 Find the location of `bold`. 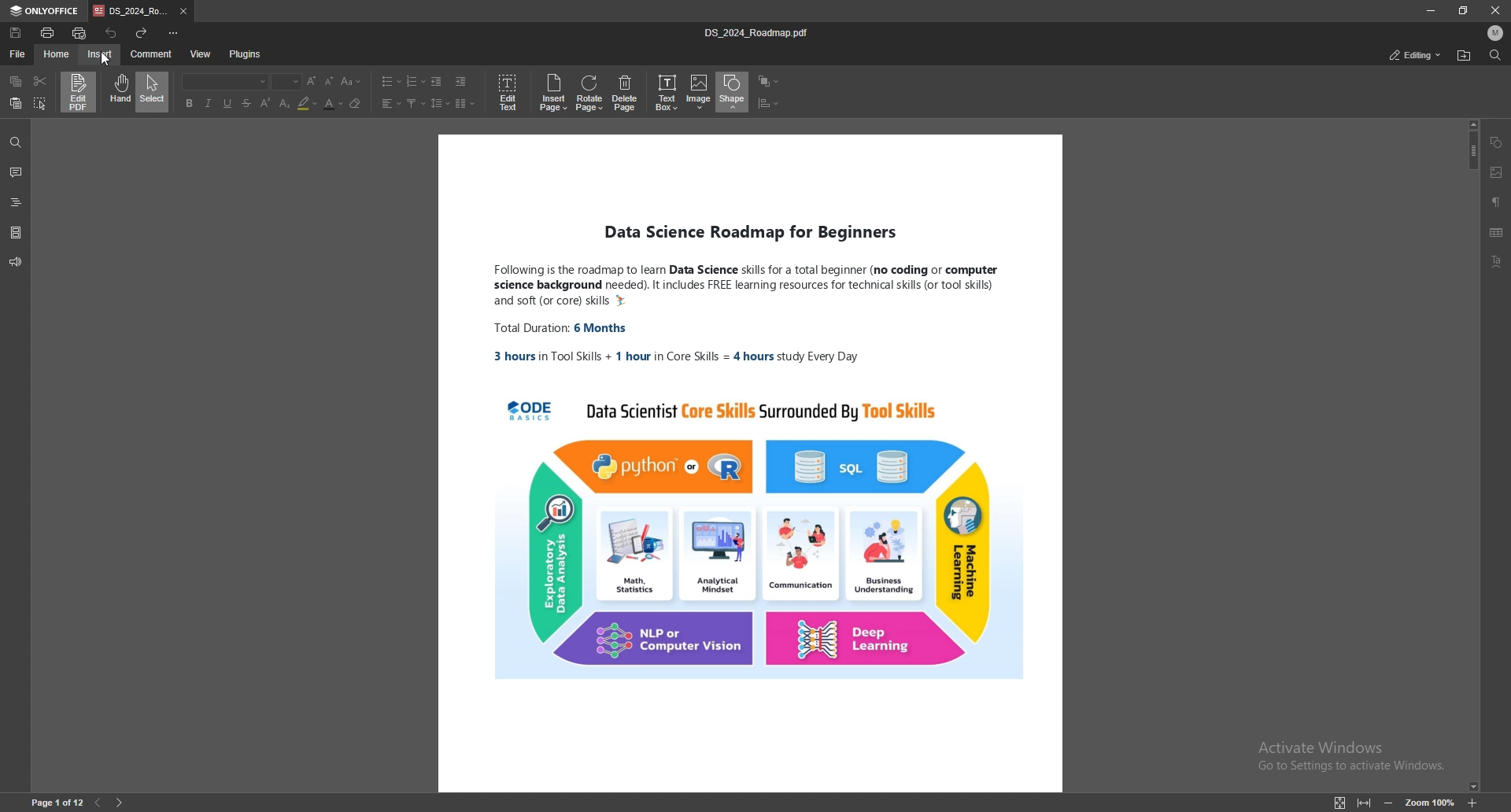

bold is located at coordinates (188, 103).